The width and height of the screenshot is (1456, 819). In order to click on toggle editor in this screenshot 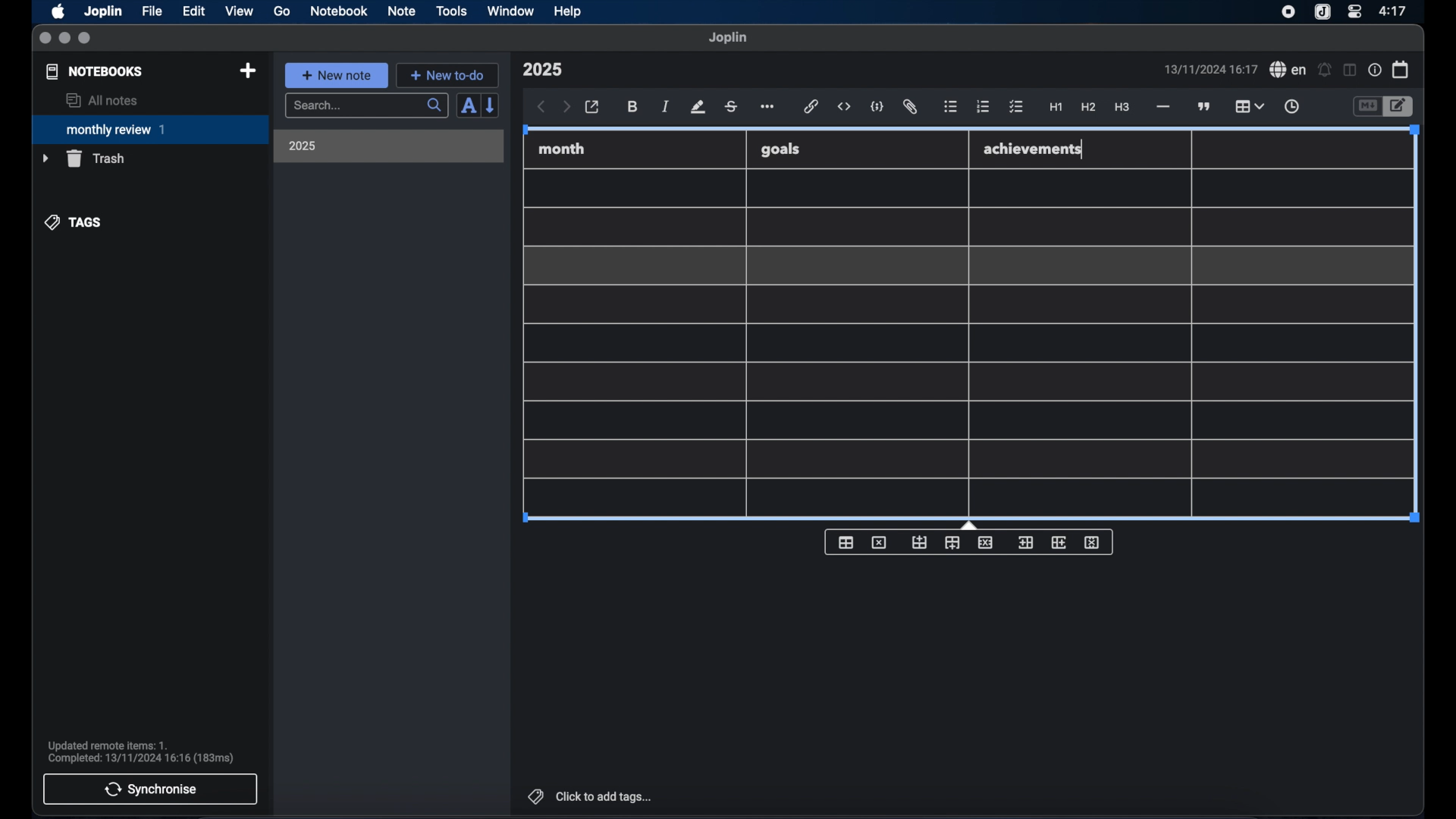, I will do `click(1401, 107)`.